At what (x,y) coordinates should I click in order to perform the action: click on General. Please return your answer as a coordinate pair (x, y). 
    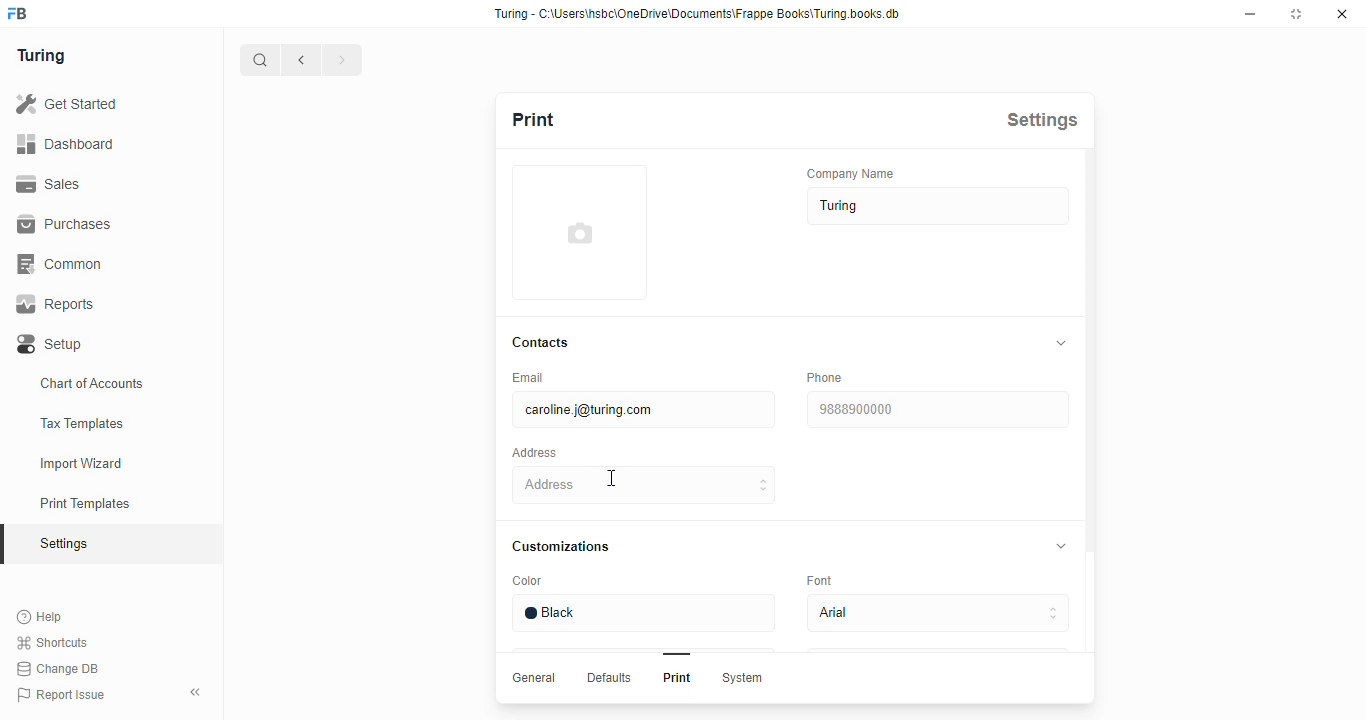
    Looking at the image, I should click on (536, 678).